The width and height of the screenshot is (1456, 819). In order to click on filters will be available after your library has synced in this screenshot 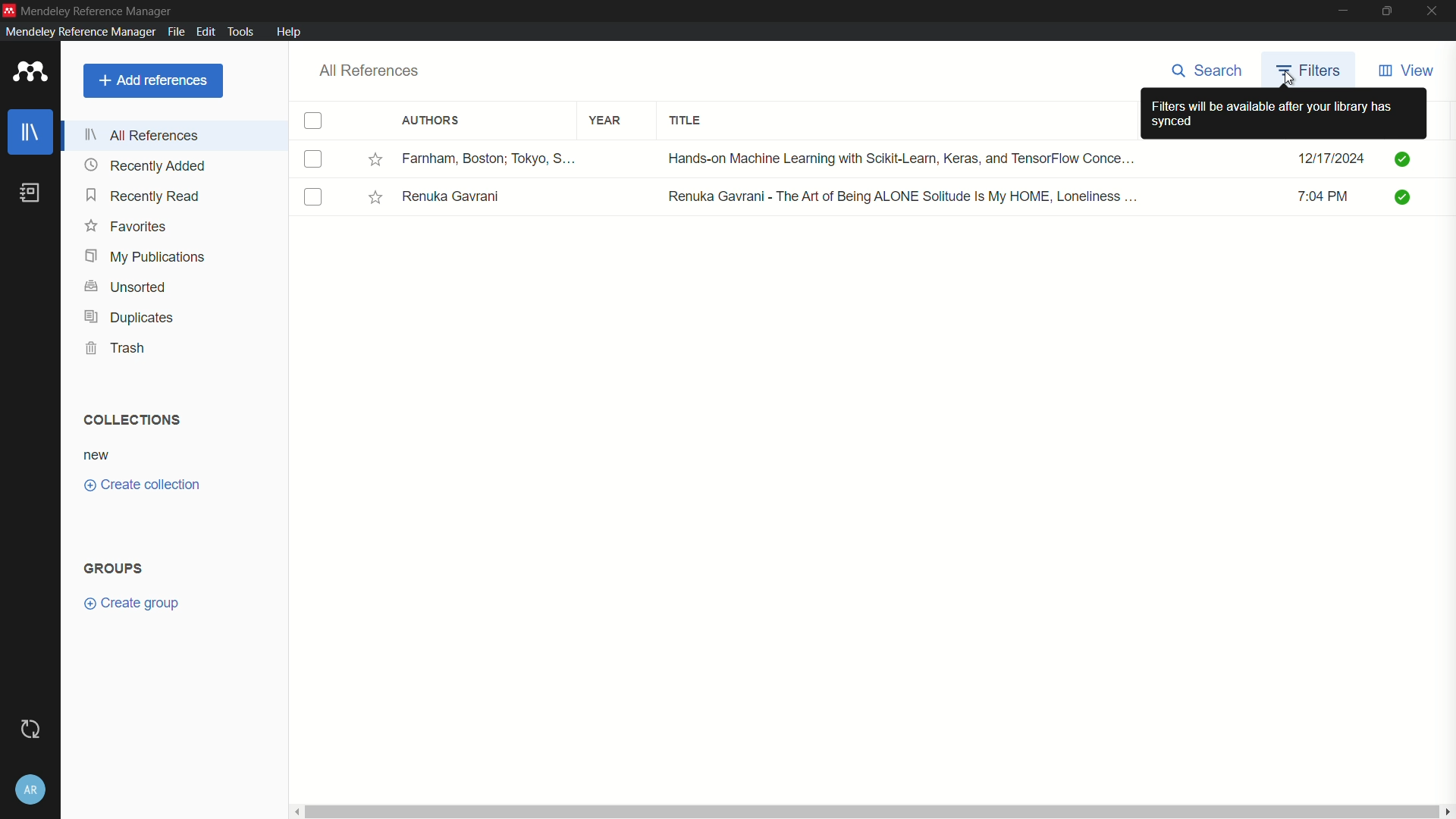, I will do `click(1285, 114)`.